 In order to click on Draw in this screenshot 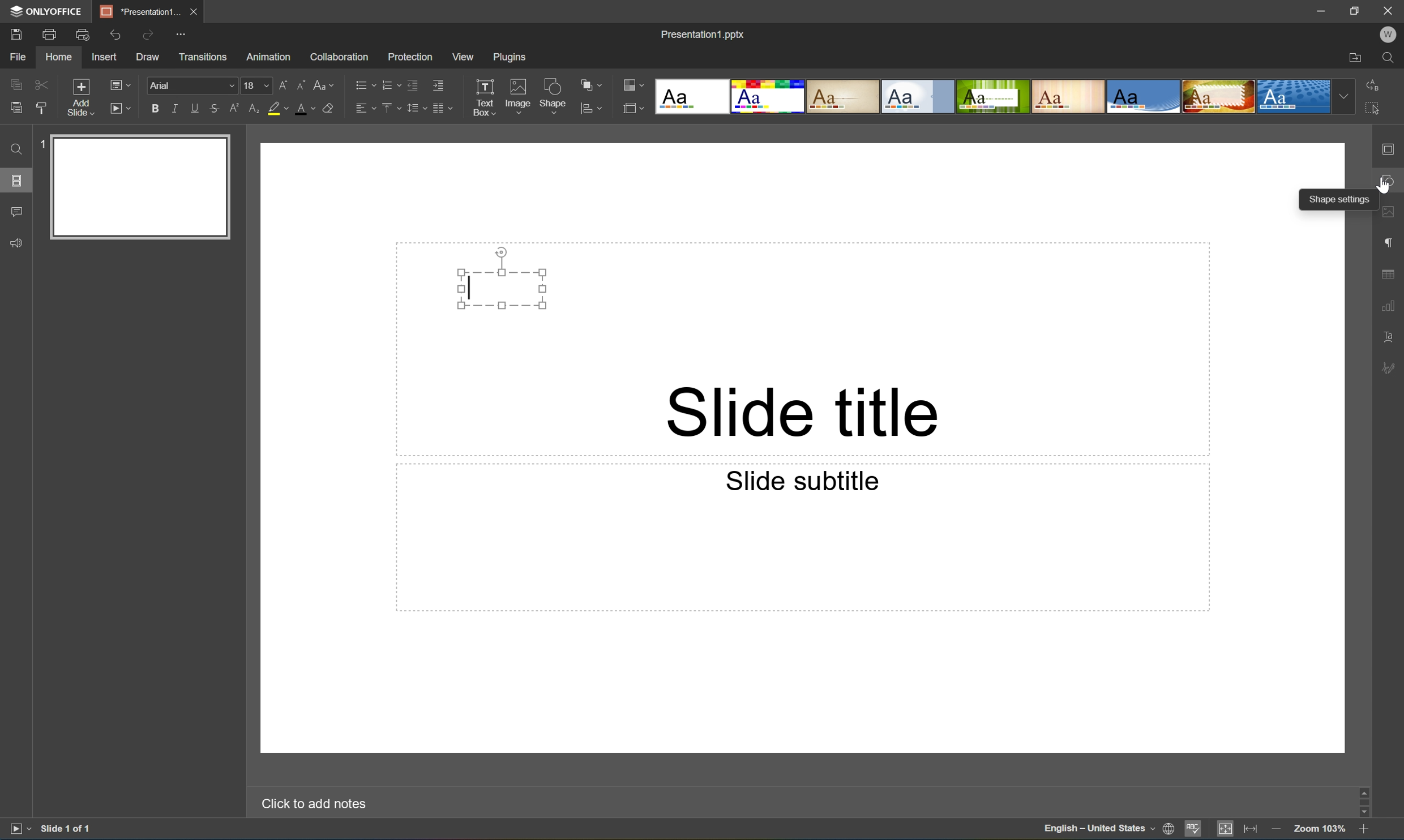, I will do `click(149, 57)`.